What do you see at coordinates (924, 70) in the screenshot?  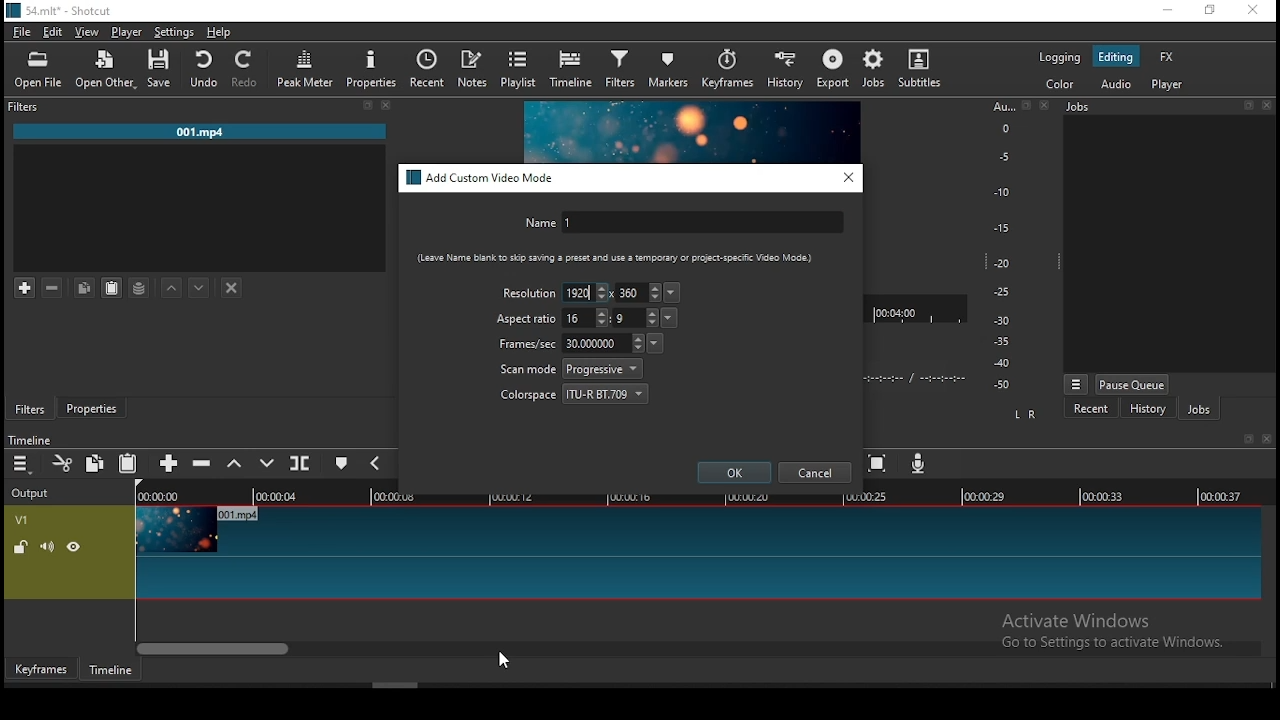 I see `subtitles` at bounding box center [924, 70].